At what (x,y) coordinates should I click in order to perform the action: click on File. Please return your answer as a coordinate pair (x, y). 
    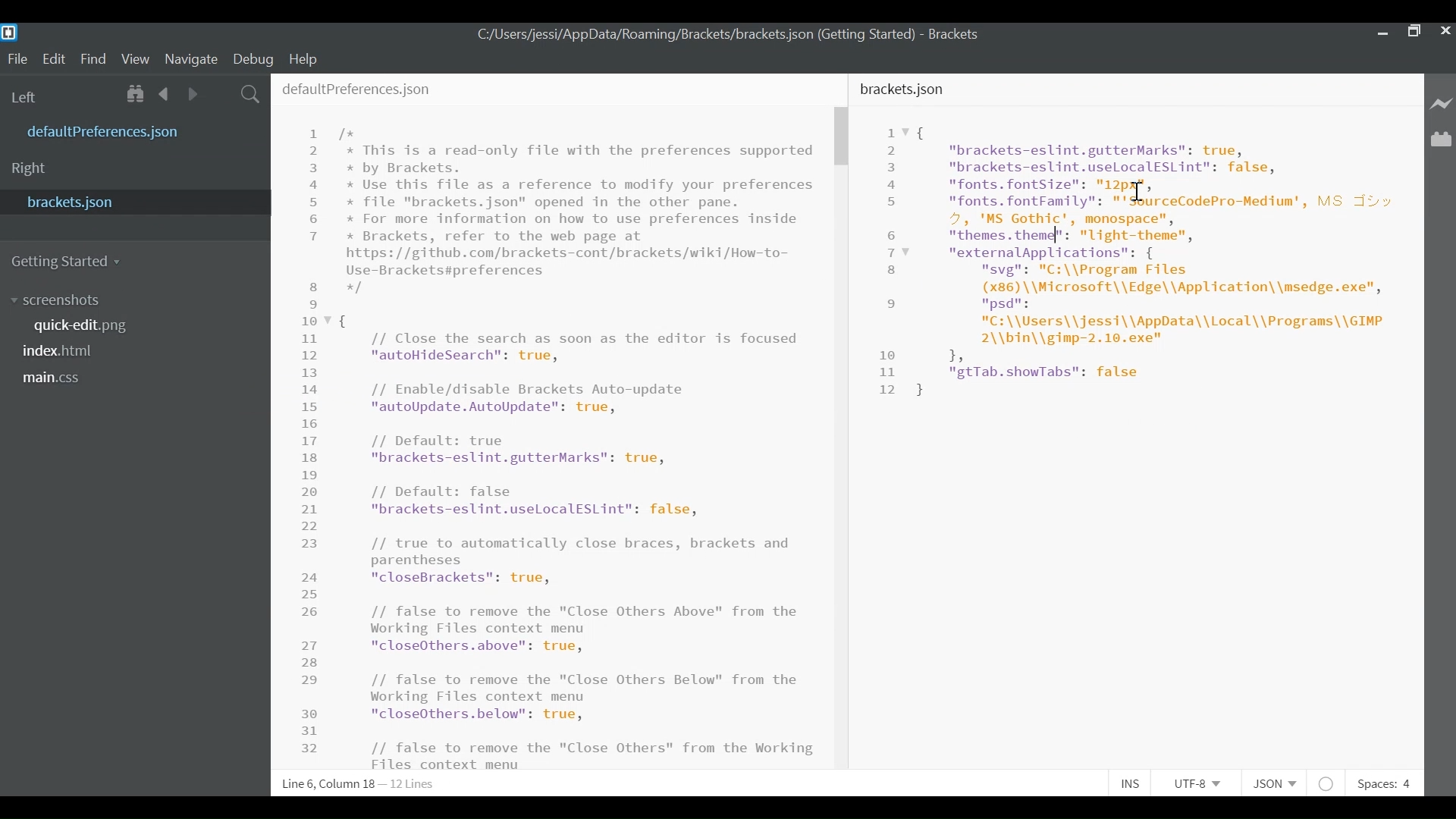
    Looking at the image, I should click on (17, 59).